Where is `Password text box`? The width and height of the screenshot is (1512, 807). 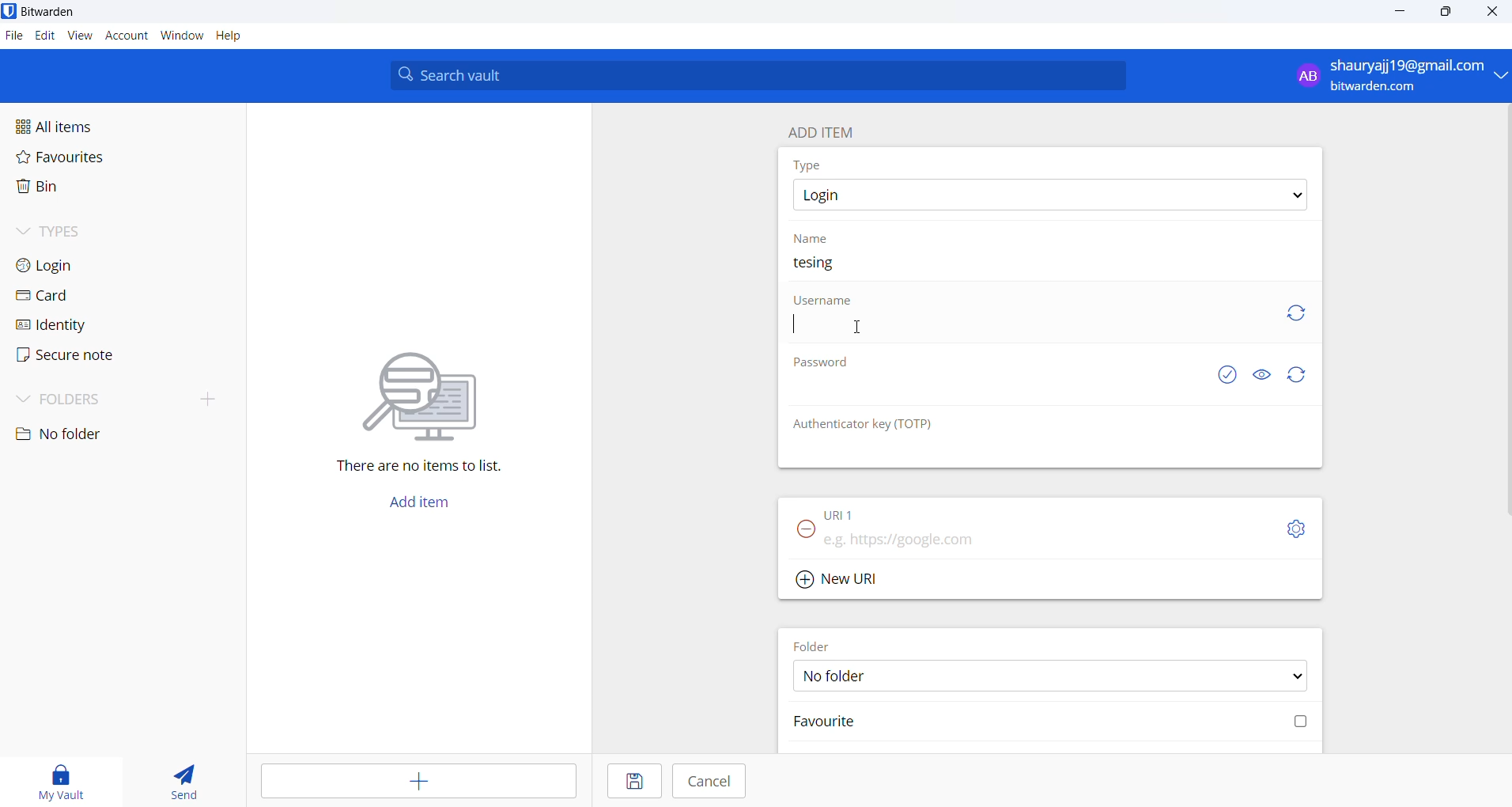 Password text box is located at coordinates (992, 396).